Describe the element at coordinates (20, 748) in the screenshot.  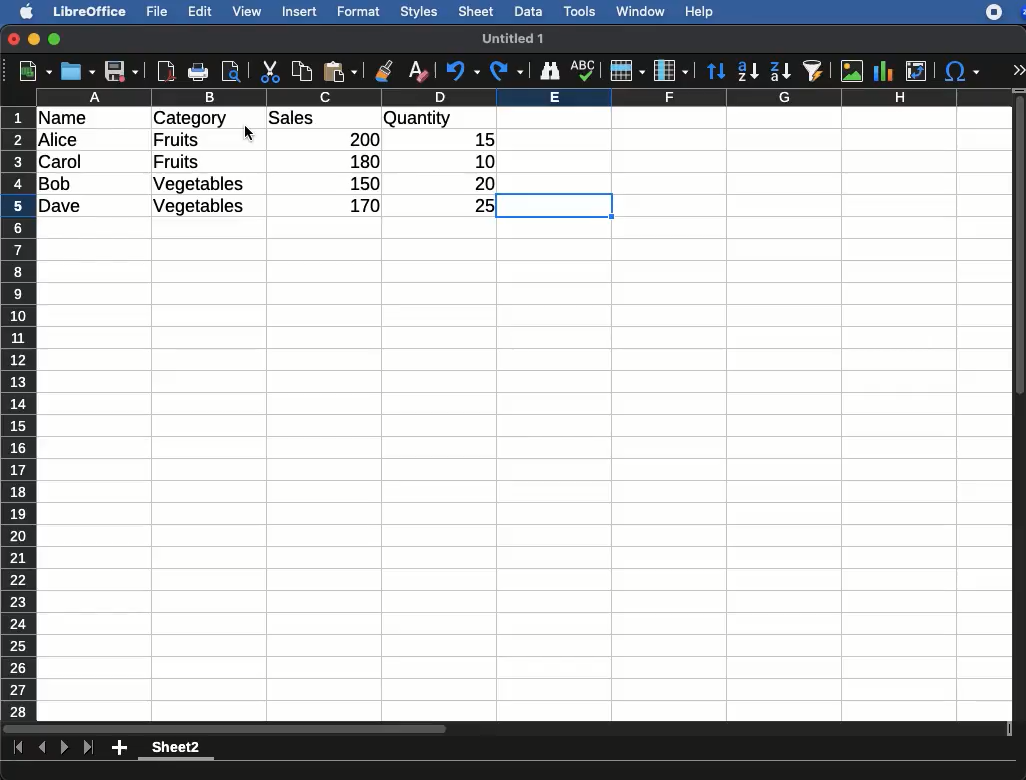
I see `first sheet` at that location.